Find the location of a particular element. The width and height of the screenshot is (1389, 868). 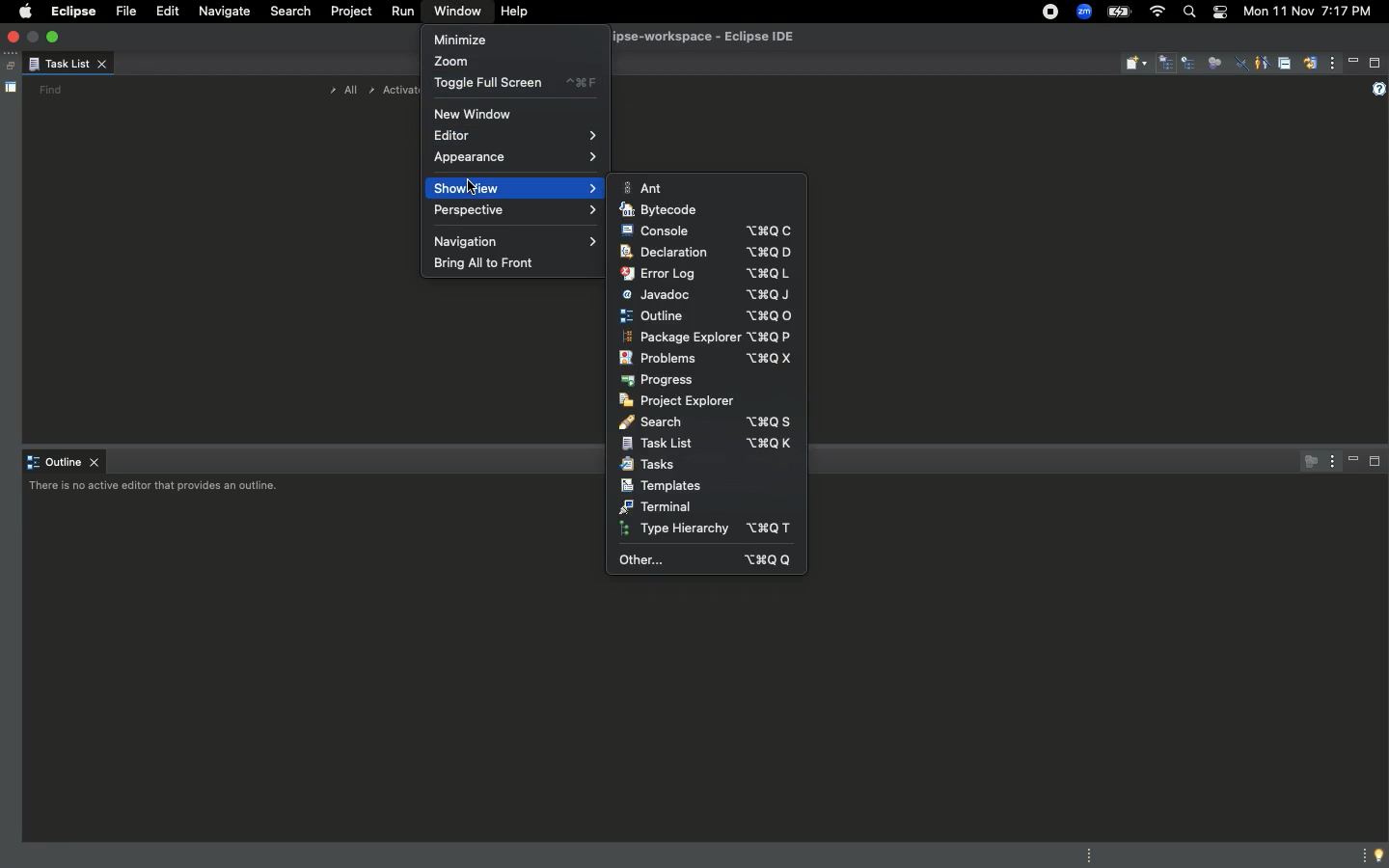

Minimize is located at coordinates (1354, 62).